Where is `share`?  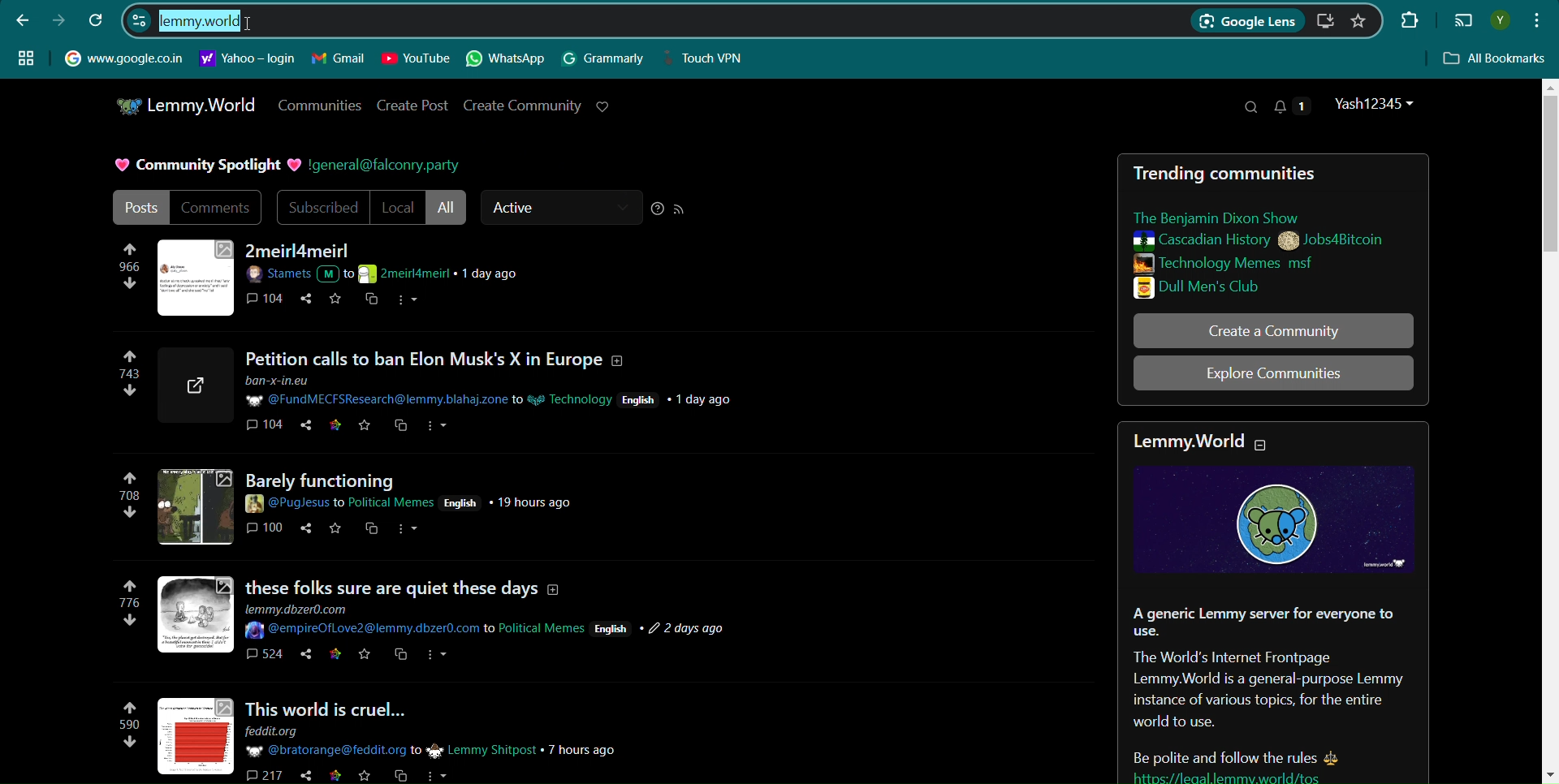
share is located at coordinates (300, 657).